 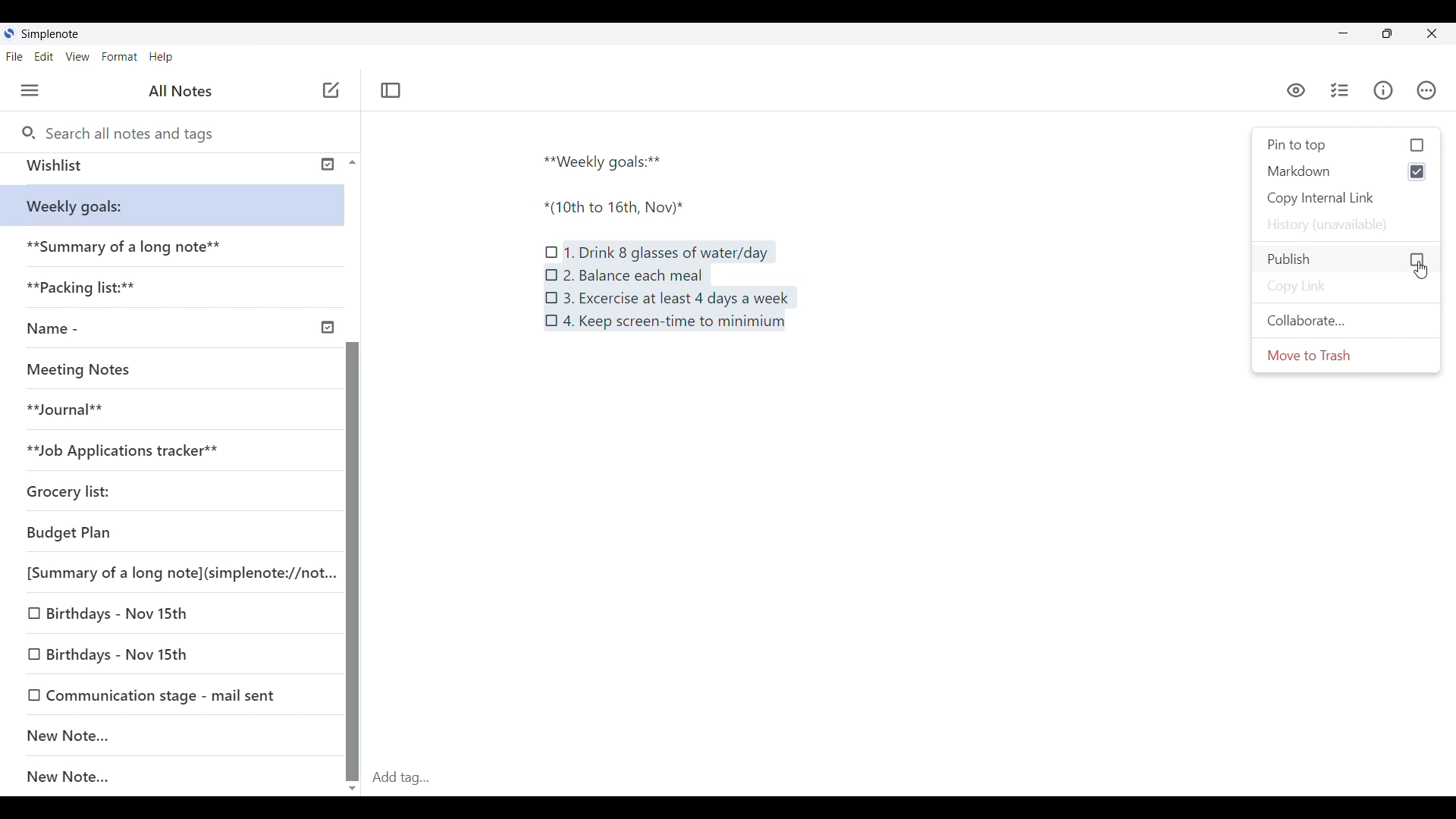 I want to click on Markdown, so click(x=1342, y=171).